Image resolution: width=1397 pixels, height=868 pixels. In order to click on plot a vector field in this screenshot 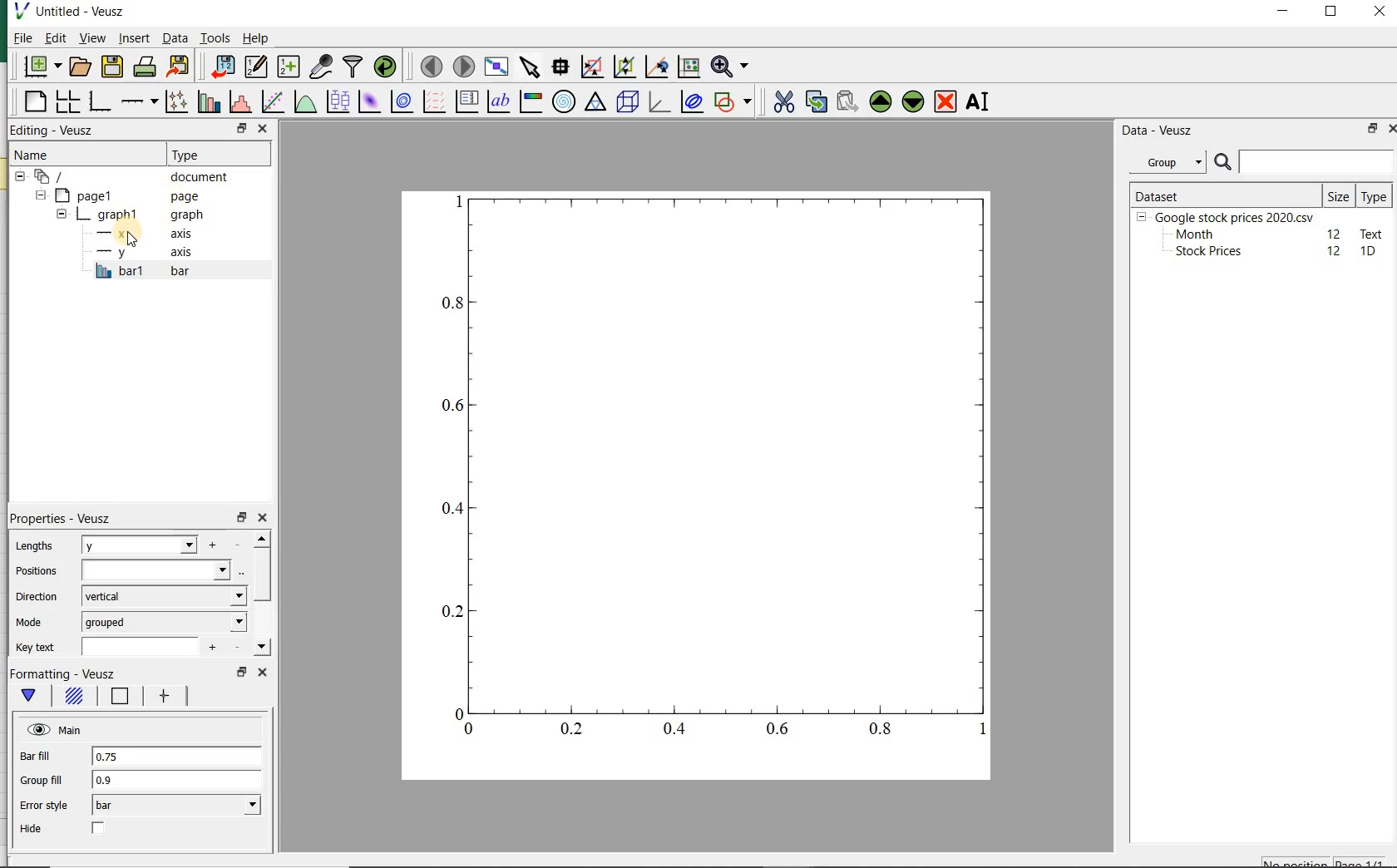, I will do `click(432, 103)`.